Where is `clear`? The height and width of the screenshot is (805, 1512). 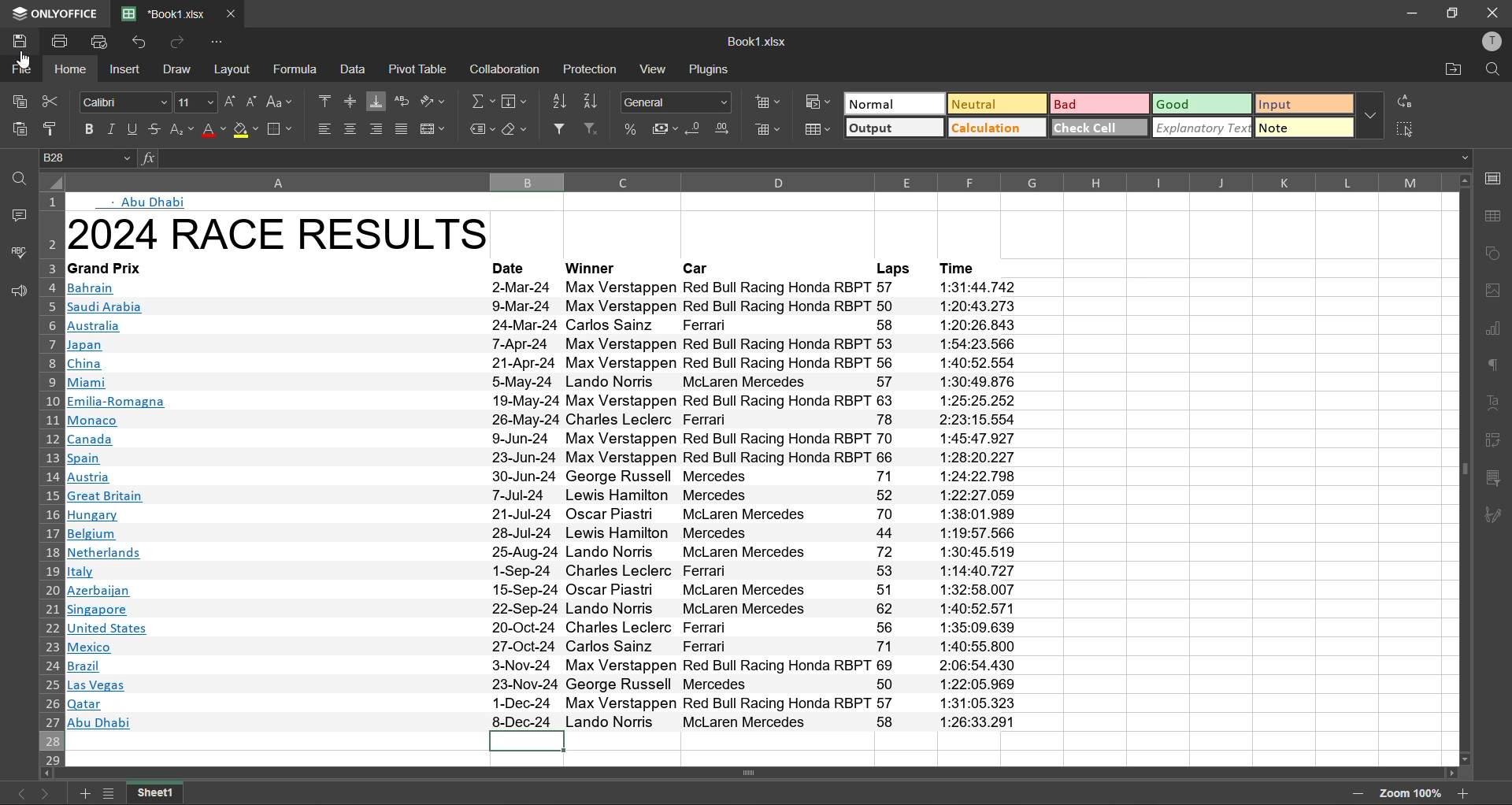 clear is located at coordinates (518, 128).